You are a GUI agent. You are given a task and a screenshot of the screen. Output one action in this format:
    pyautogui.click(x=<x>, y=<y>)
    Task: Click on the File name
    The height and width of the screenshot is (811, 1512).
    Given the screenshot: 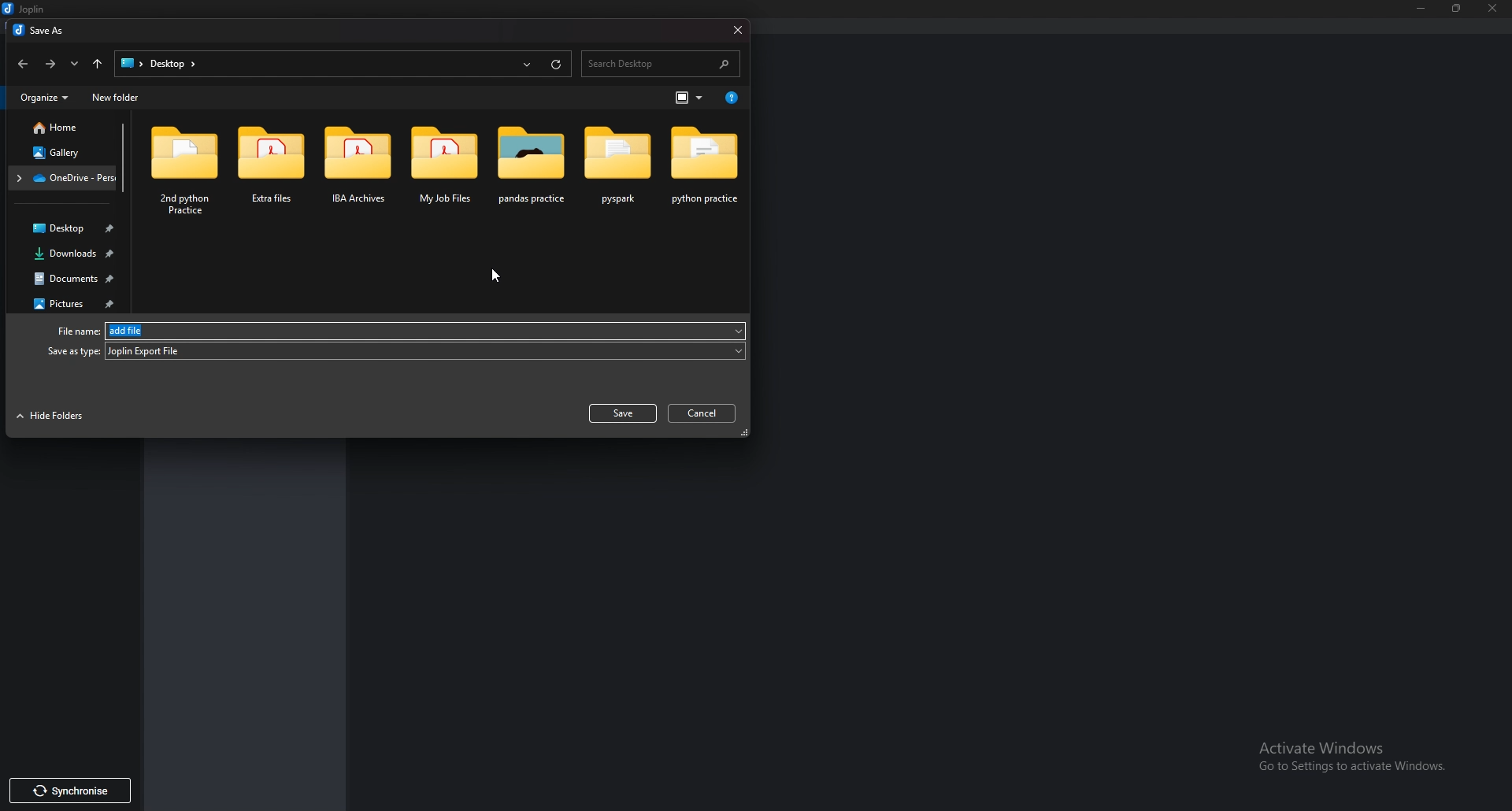 What is the action you would take?
    pyautogui.click(x=74, y=330)
    